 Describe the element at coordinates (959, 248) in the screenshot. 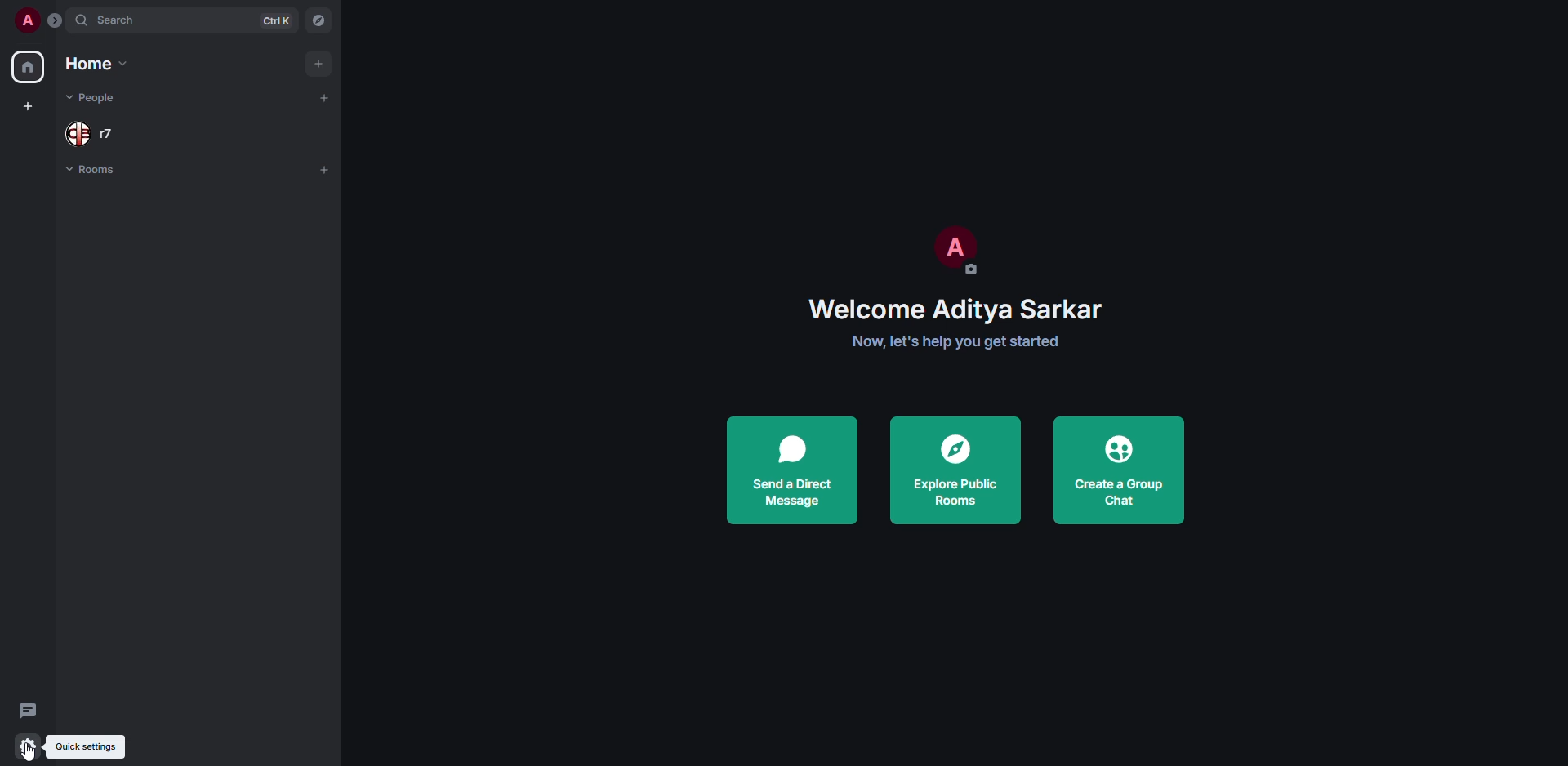

I see `profile` at that location.